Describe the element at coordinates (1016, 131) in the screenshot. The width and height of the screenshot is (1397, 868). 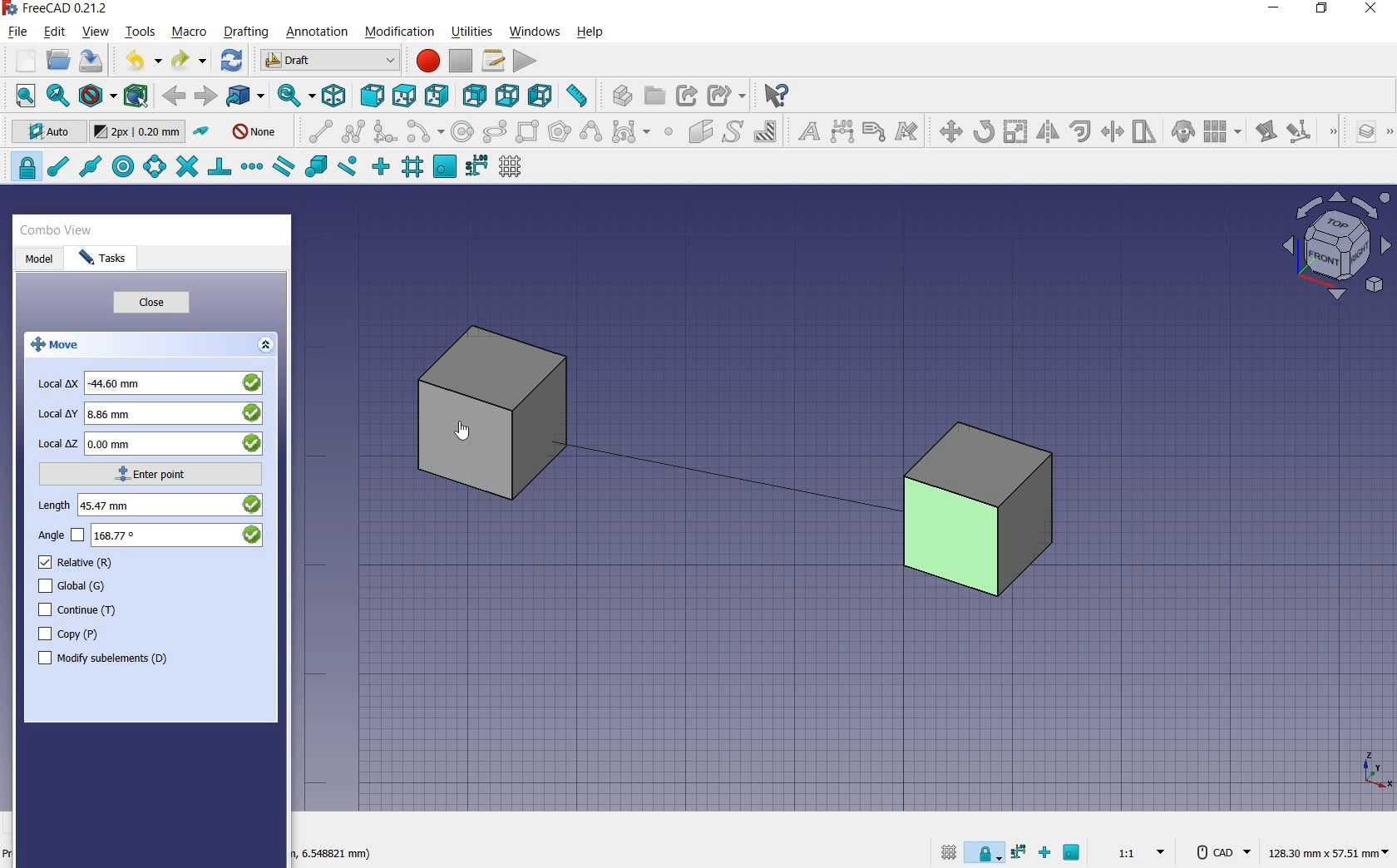
I see `scale` at that location.